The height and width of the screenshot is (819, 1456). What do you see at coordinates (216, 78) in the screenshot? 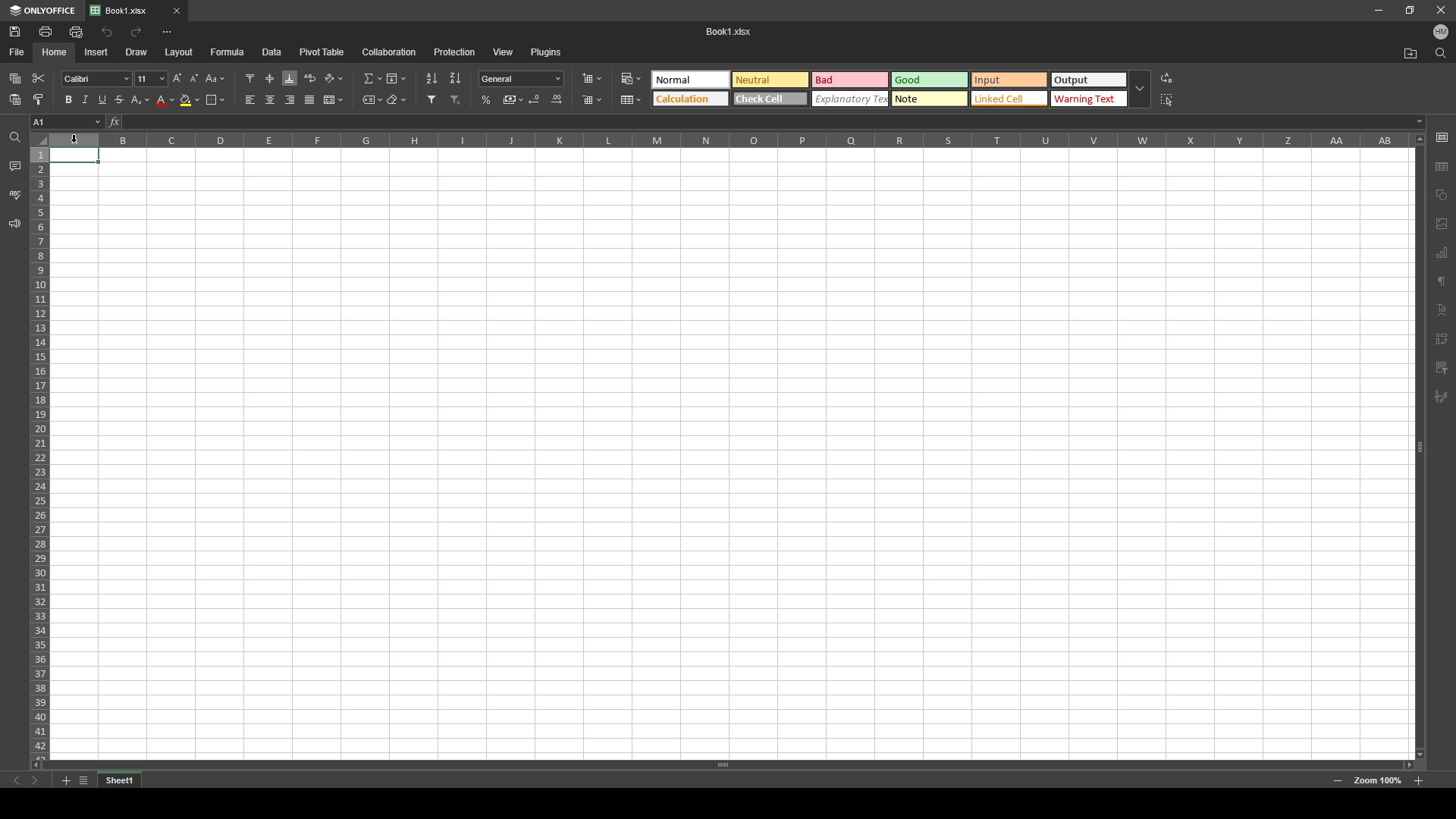
I see `change case` at bounding box center [216, 78].